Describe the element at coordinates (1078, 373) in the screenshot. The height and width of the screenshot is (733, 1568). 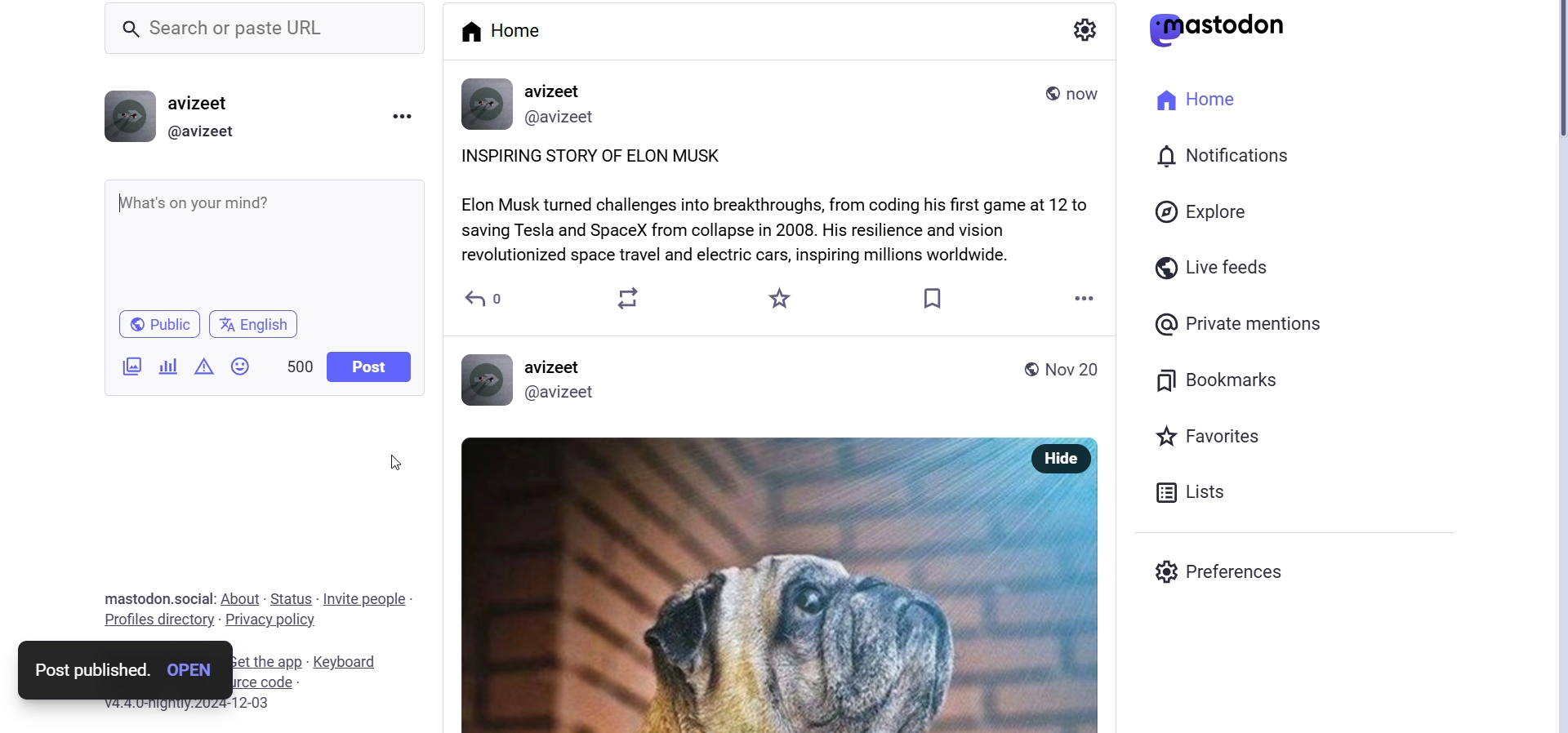
I see `date posted` at that location.